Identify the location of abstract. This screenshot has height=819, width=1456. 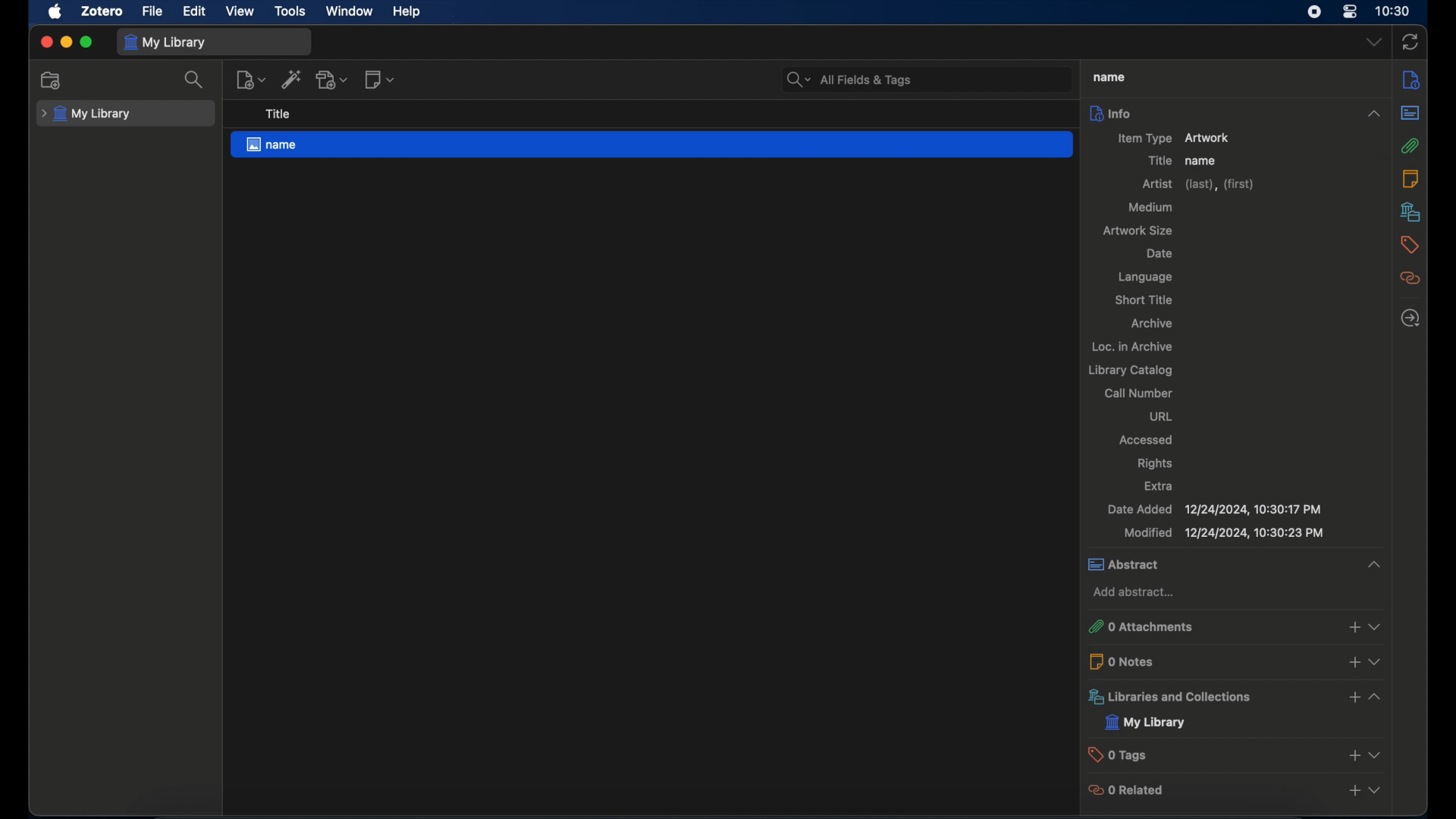
(1410, 113).